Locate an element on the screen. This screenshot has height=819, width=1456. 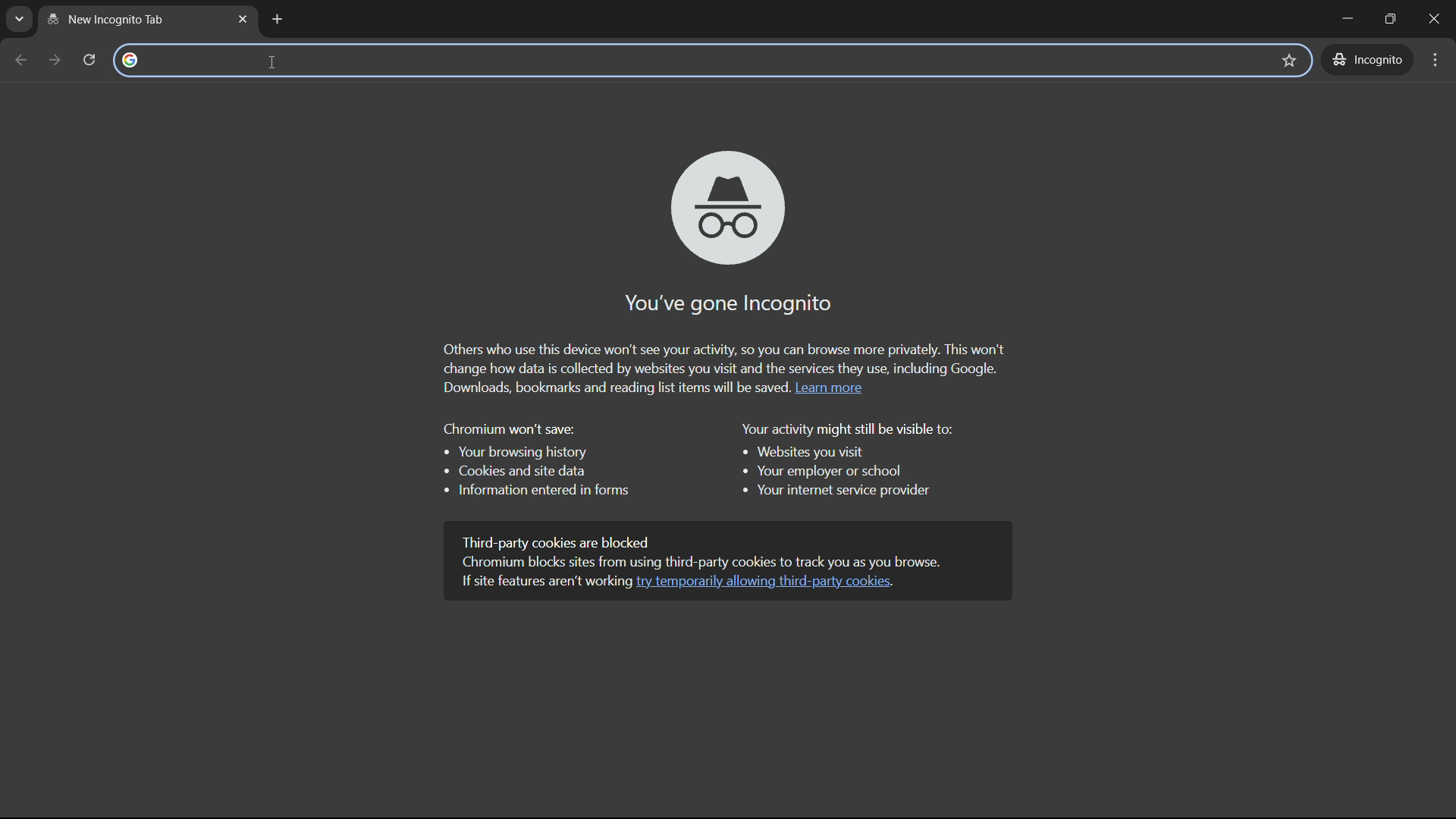
You've gone Incognito is located at coordinates (721, 303).